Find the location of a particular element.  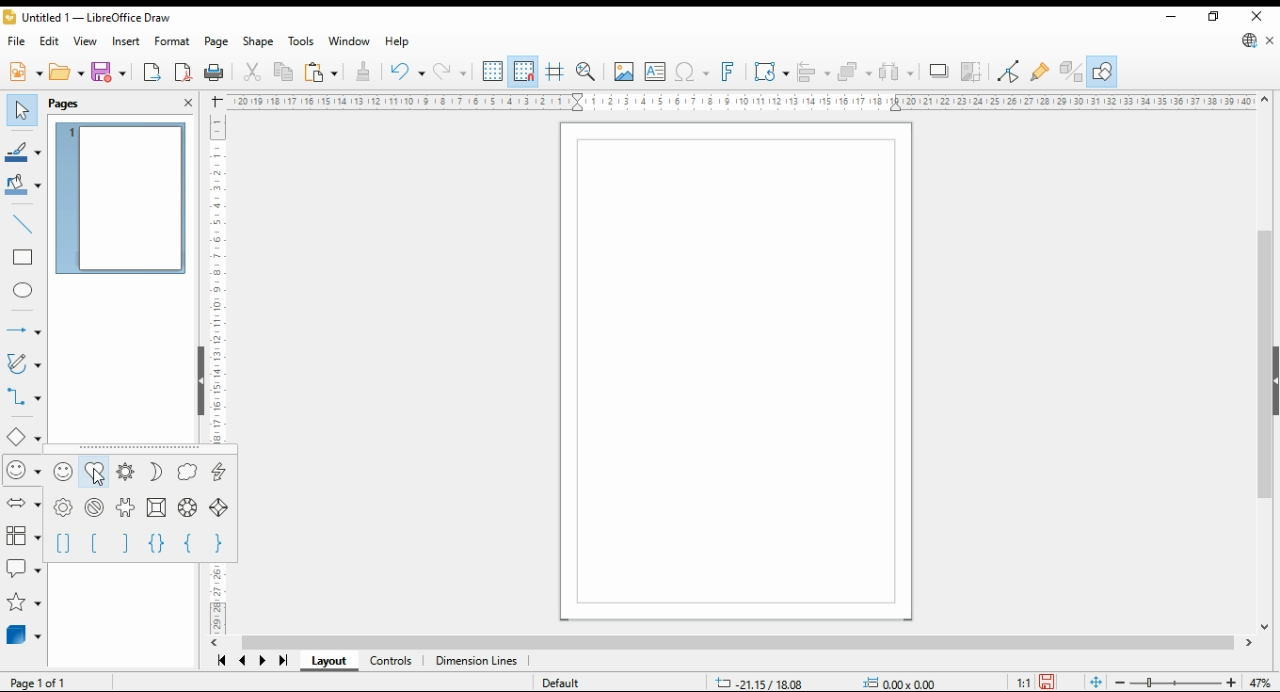

close pane is located at coordinates (189, 103).